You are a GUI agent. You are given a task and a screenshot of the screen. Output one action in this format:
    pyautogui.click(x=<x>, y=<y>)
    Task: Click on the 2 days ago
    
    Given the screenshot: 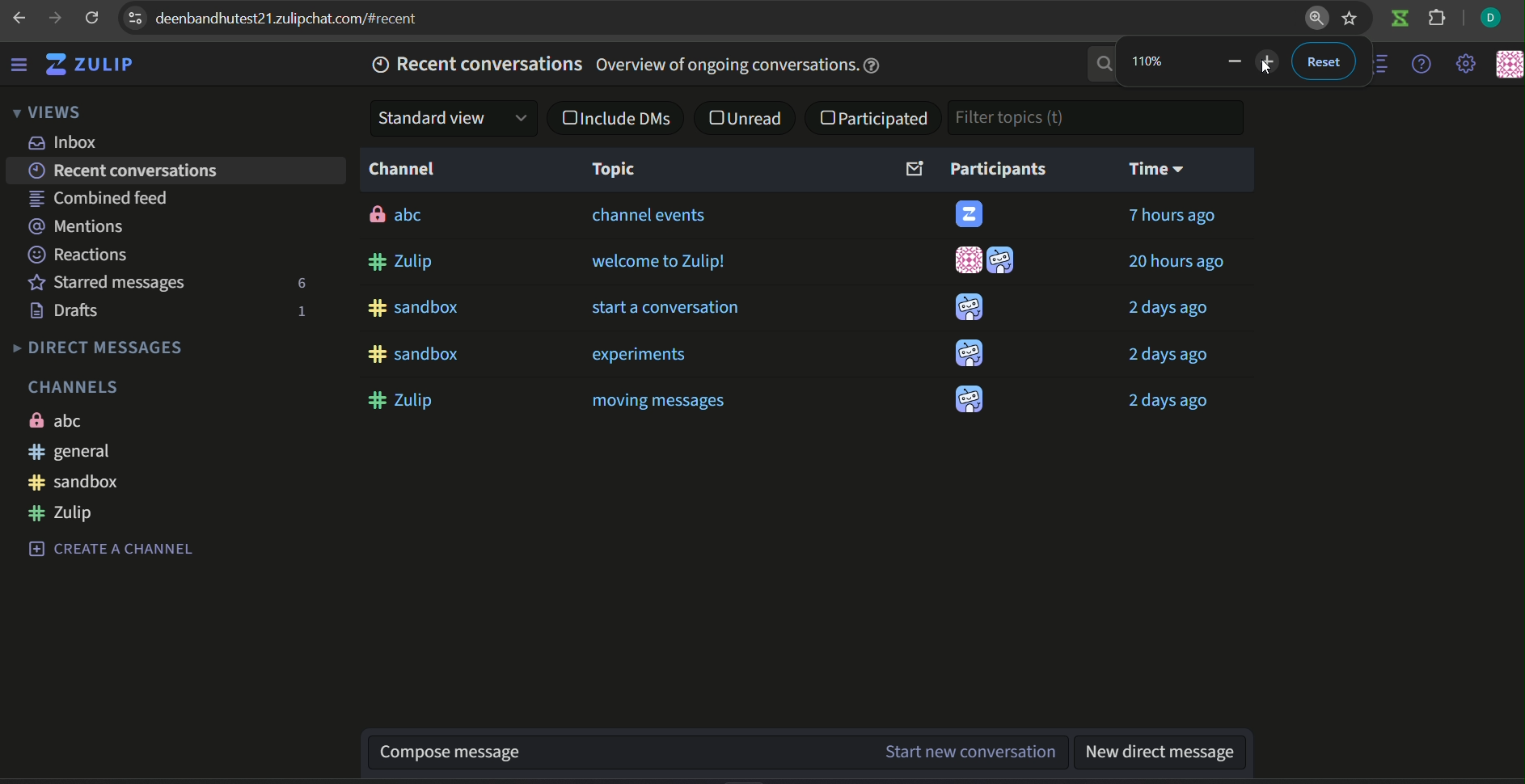 What is the action you would take?
    pyautogui.click(x=1168, y=402)
    